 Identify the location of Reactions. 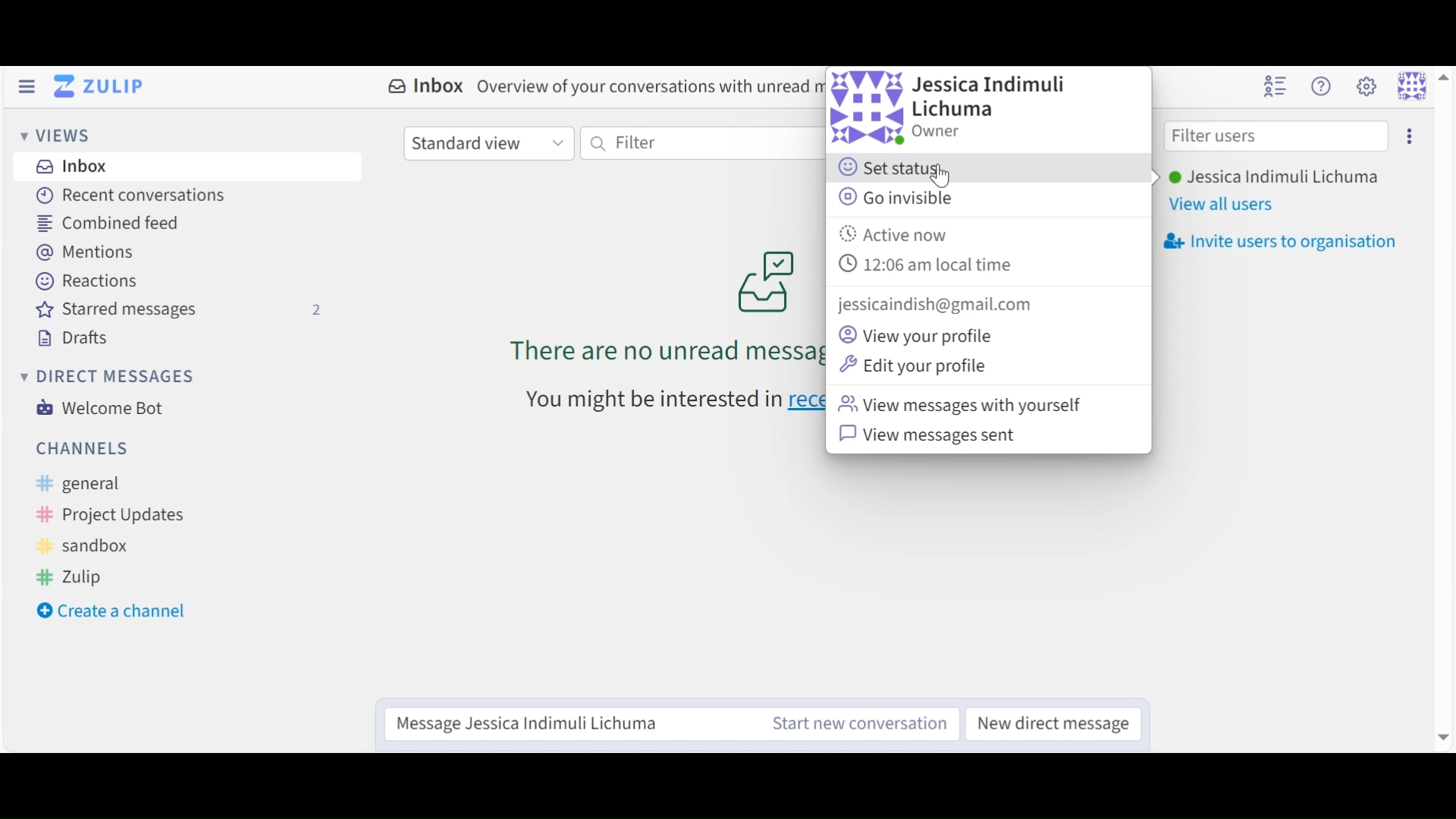
(89, 282).